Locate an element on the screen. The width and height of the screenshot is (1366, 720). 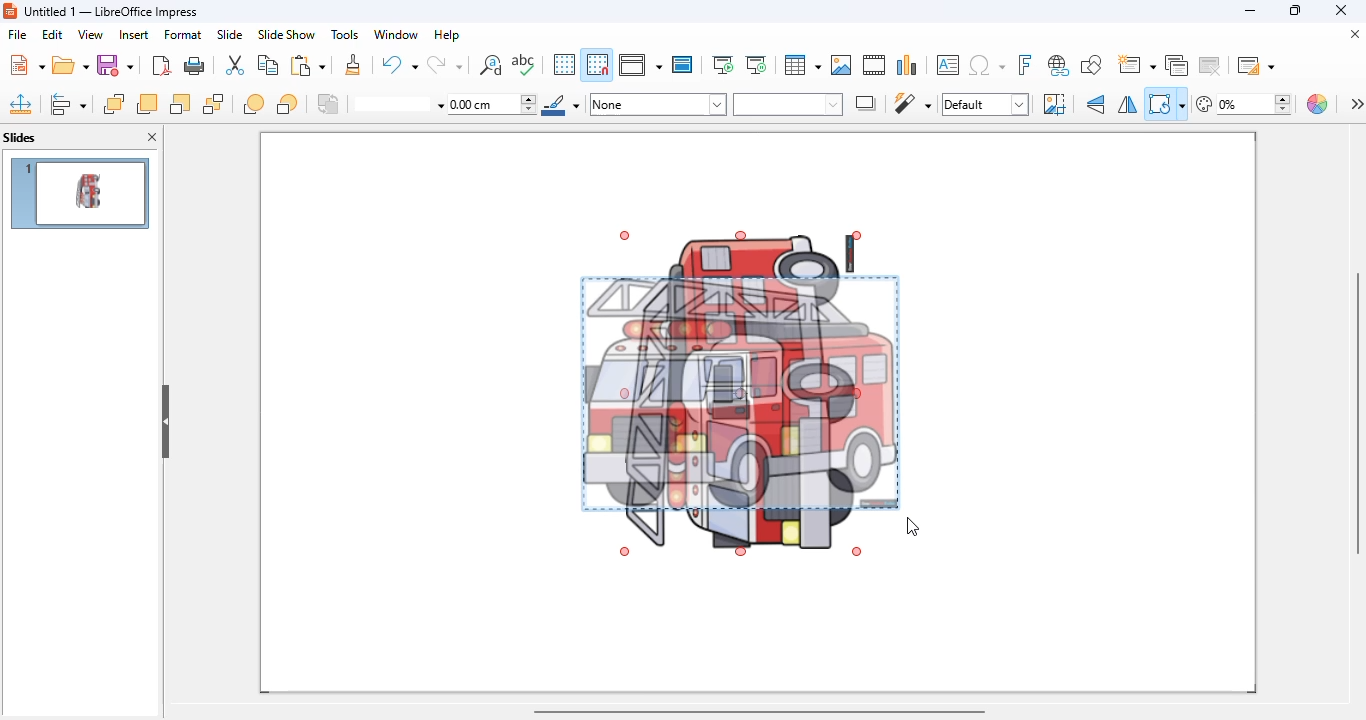
area style/filling is located at coordinates (659, 104).